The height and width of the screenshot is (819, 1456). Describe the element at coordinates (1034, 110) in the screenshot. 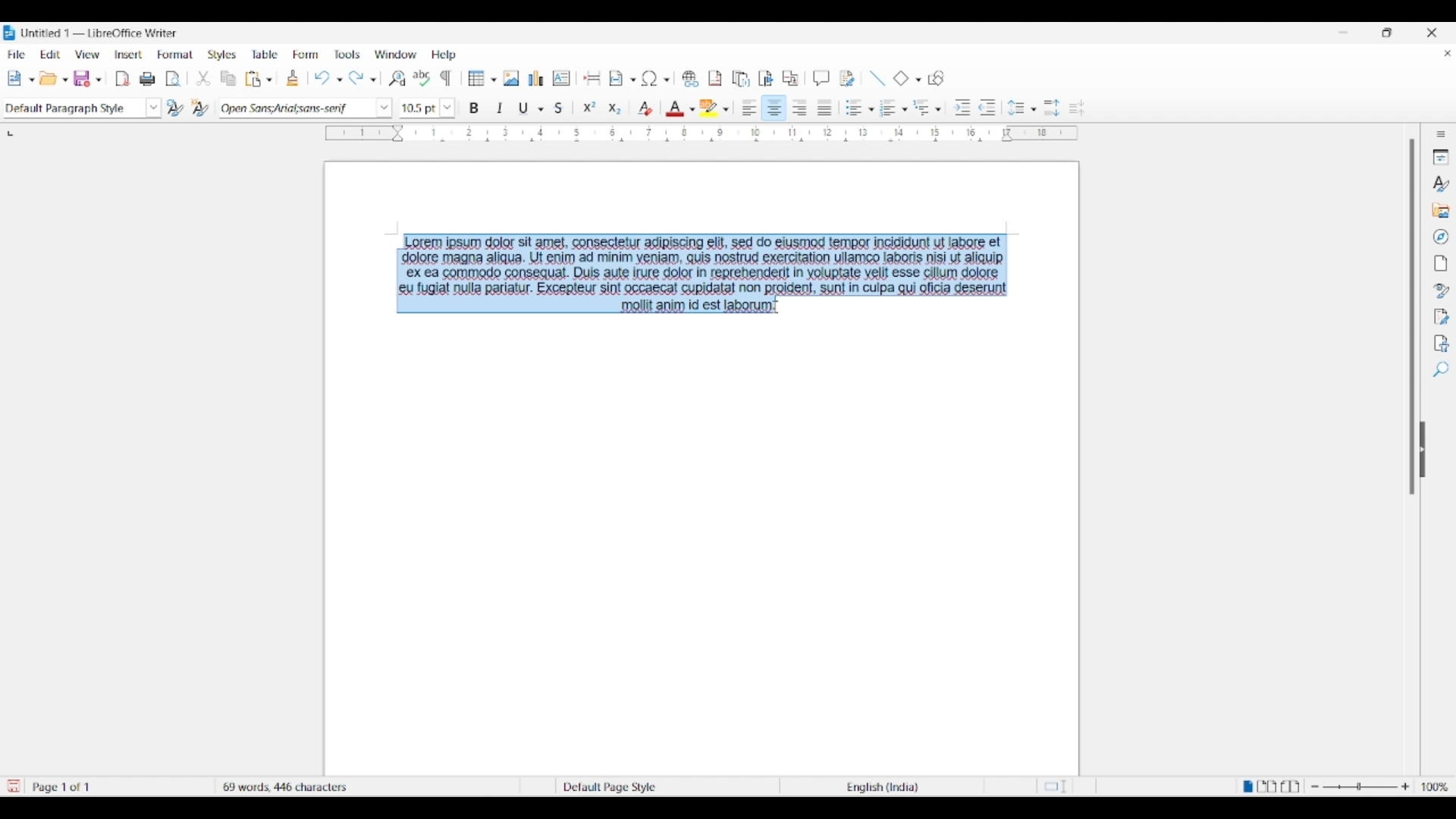

I see `Line spacing options` at that location.